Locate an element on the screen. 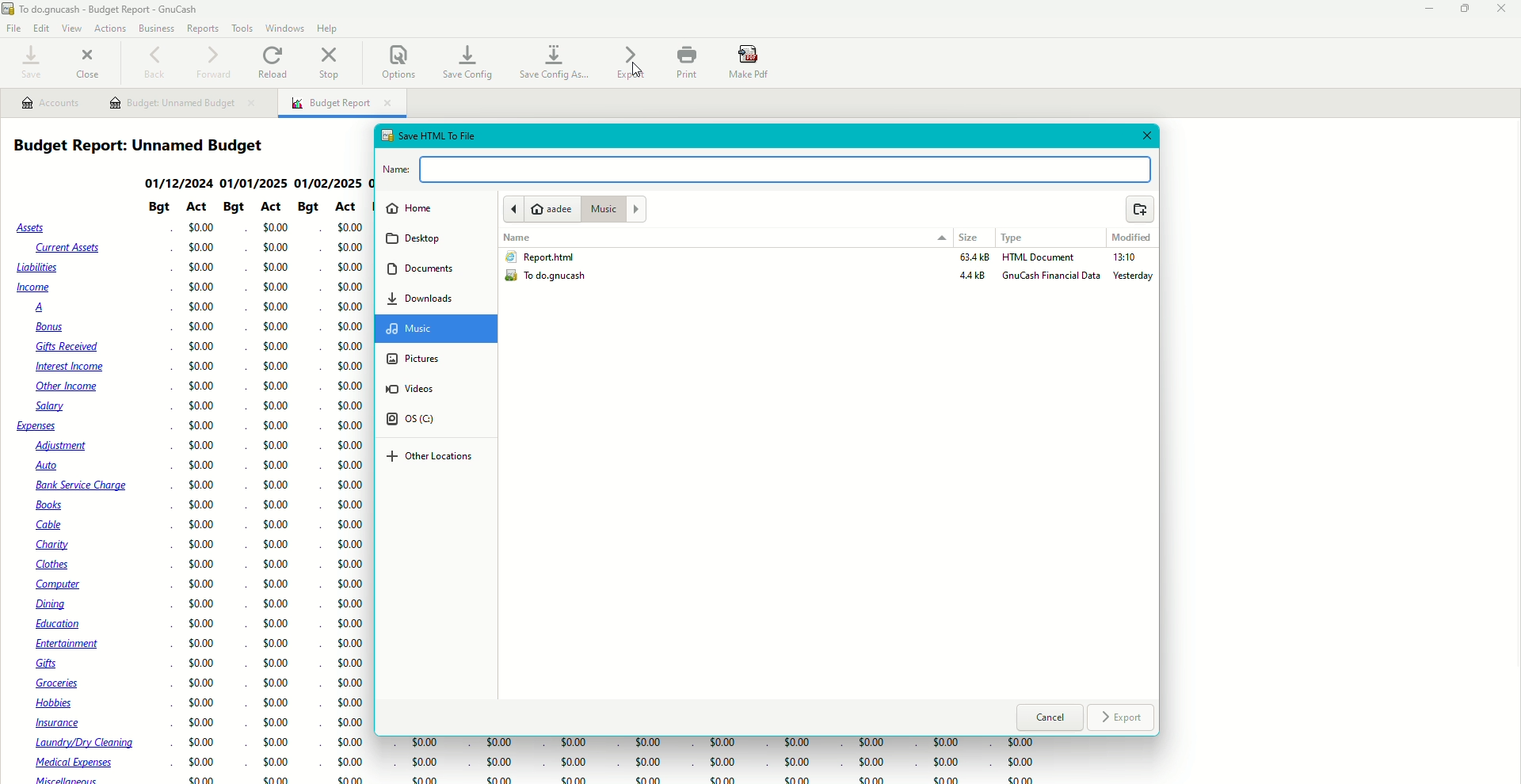 The image size is (1521, 784). Options is located at coordinates (398, 61).